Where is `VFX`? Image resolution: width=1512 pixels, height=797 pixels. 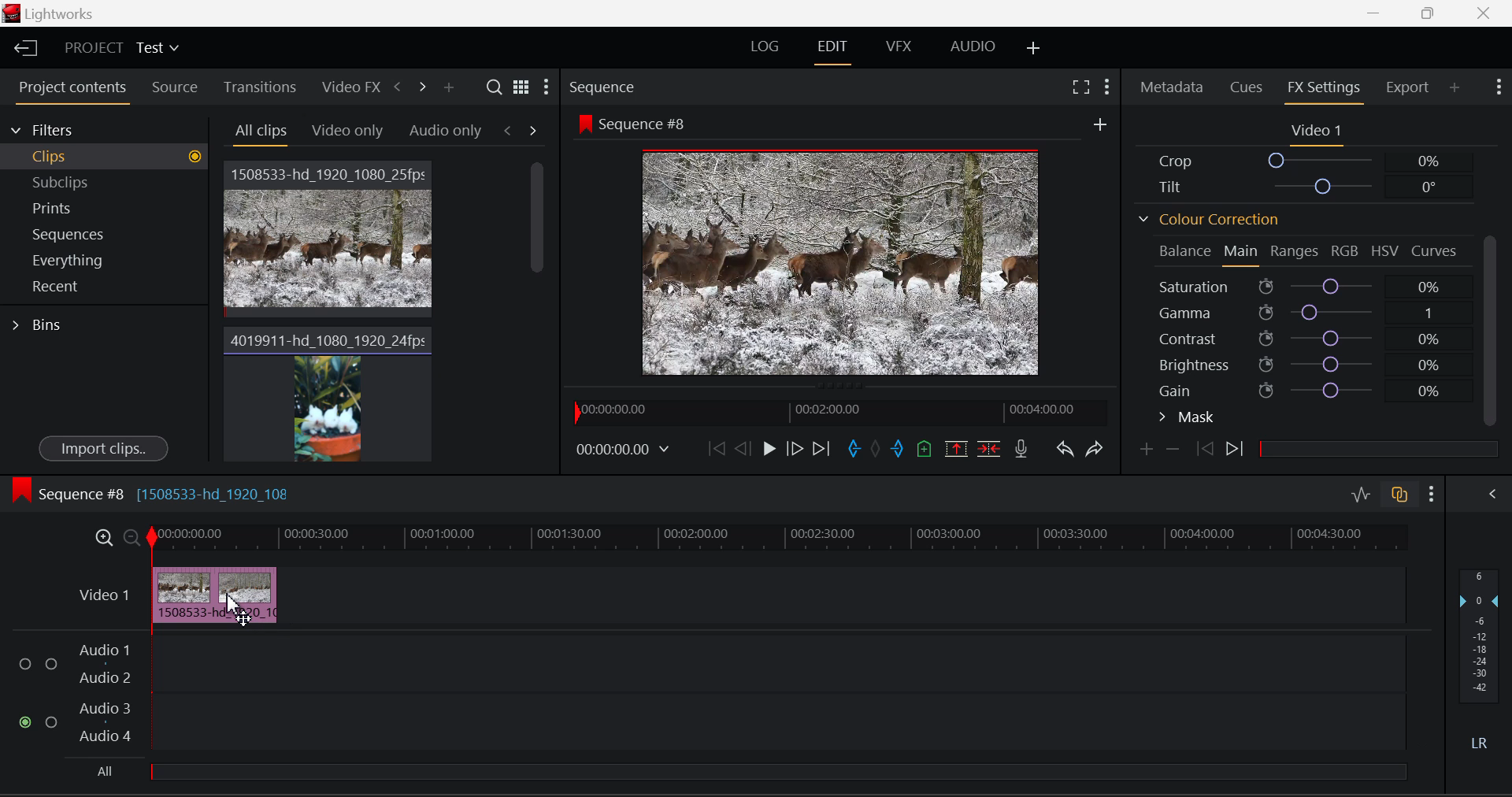 VFX is located at coordinates (898, 46).